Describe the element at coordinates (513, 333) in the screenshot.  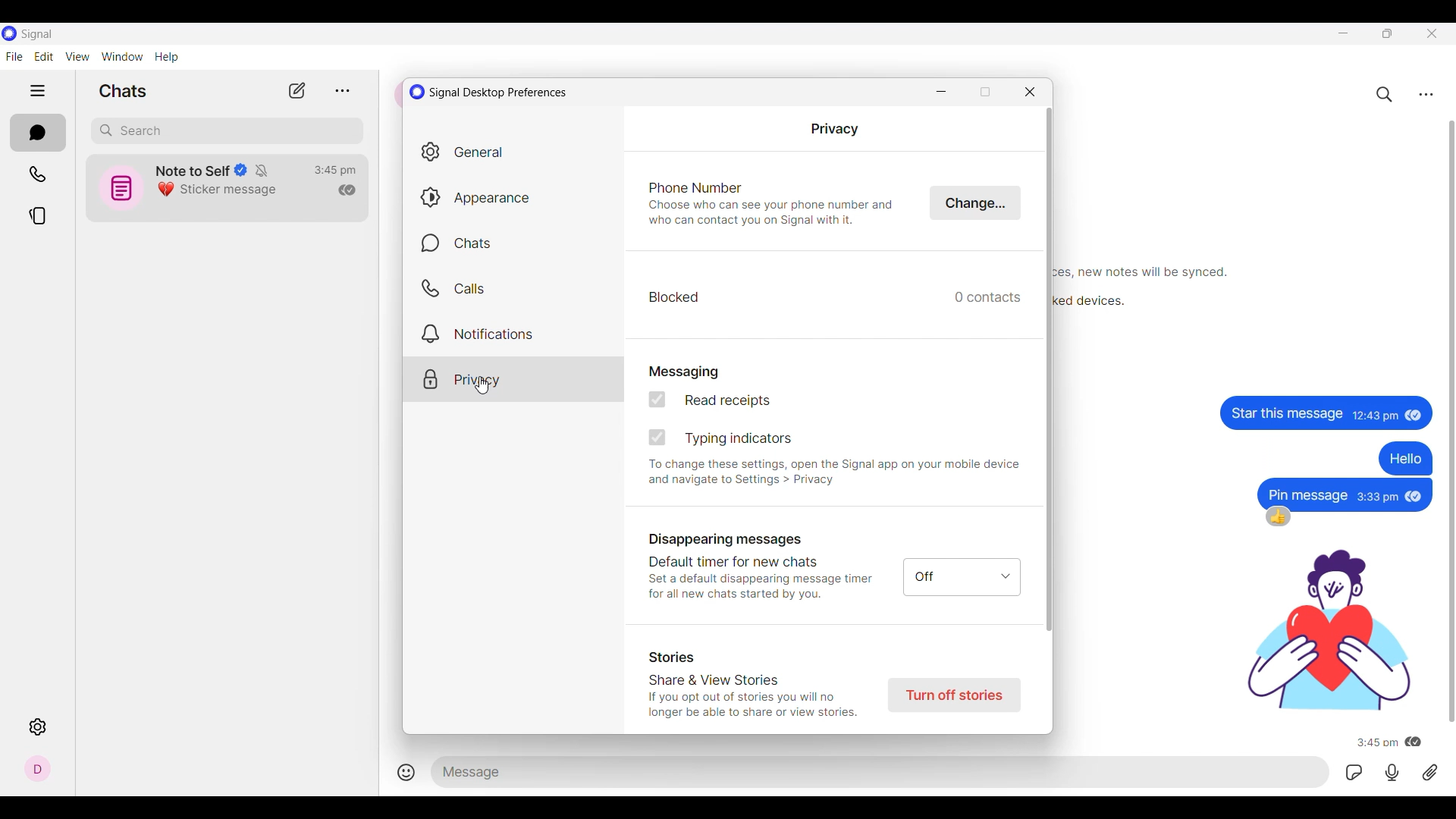
I see `Notification settings` at that location.